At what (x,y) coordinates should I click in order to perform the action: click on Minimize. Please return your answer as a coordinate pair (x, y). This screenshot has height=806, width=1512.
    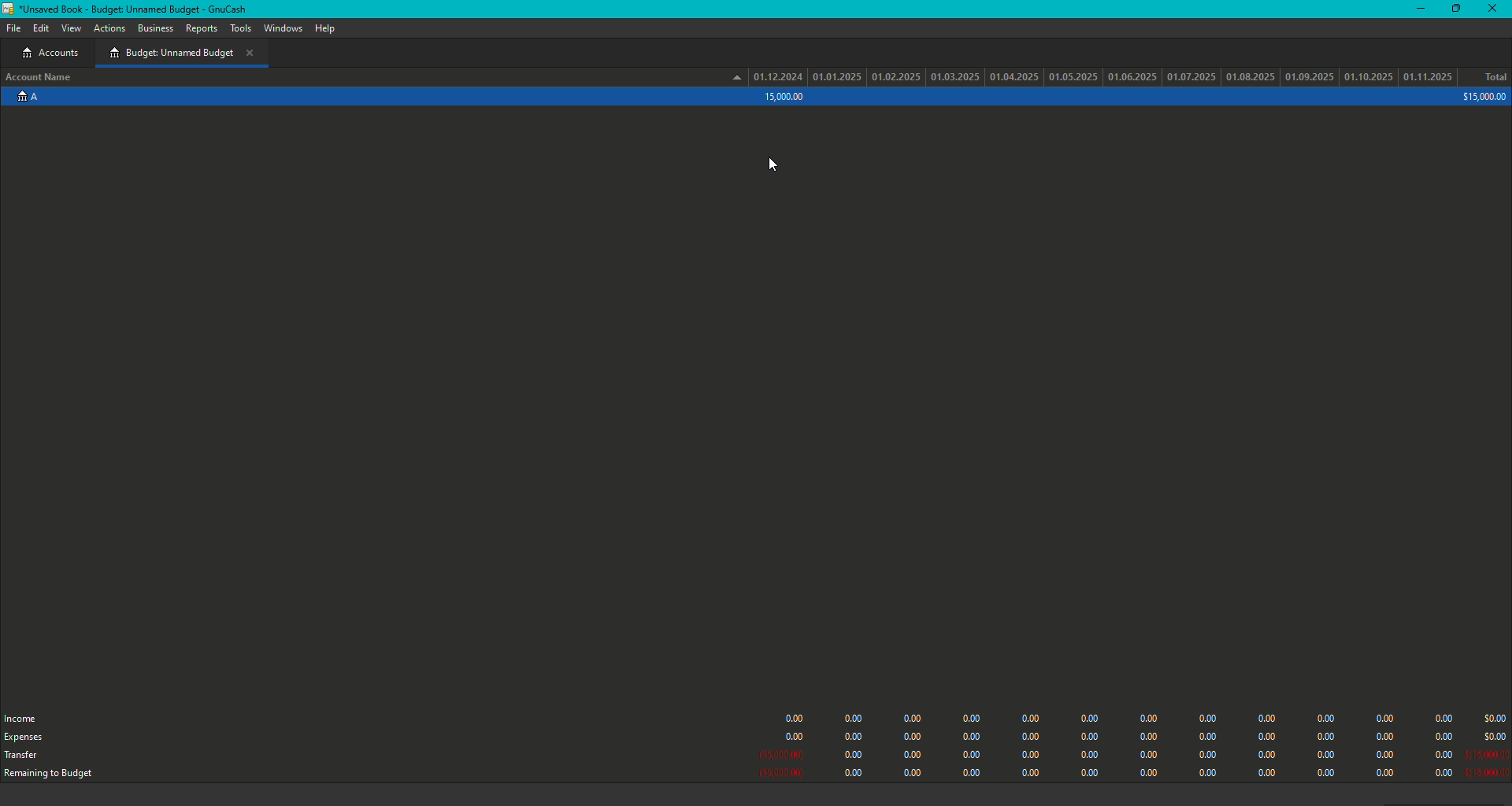
    Looking at the image, I should click on (1417, 8).